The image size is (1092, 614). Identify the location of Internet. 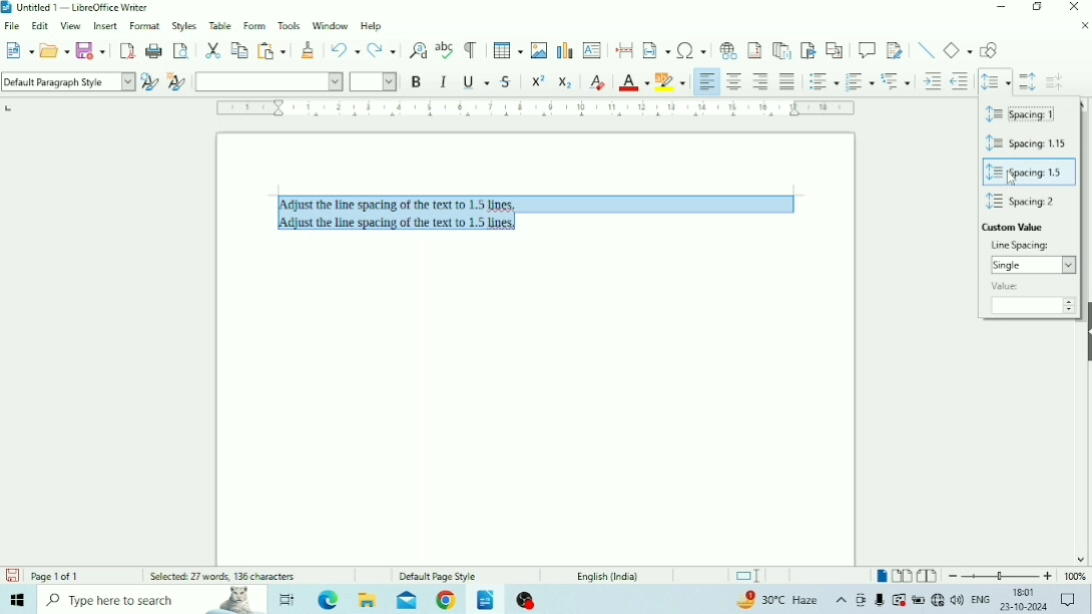
(938, 600).